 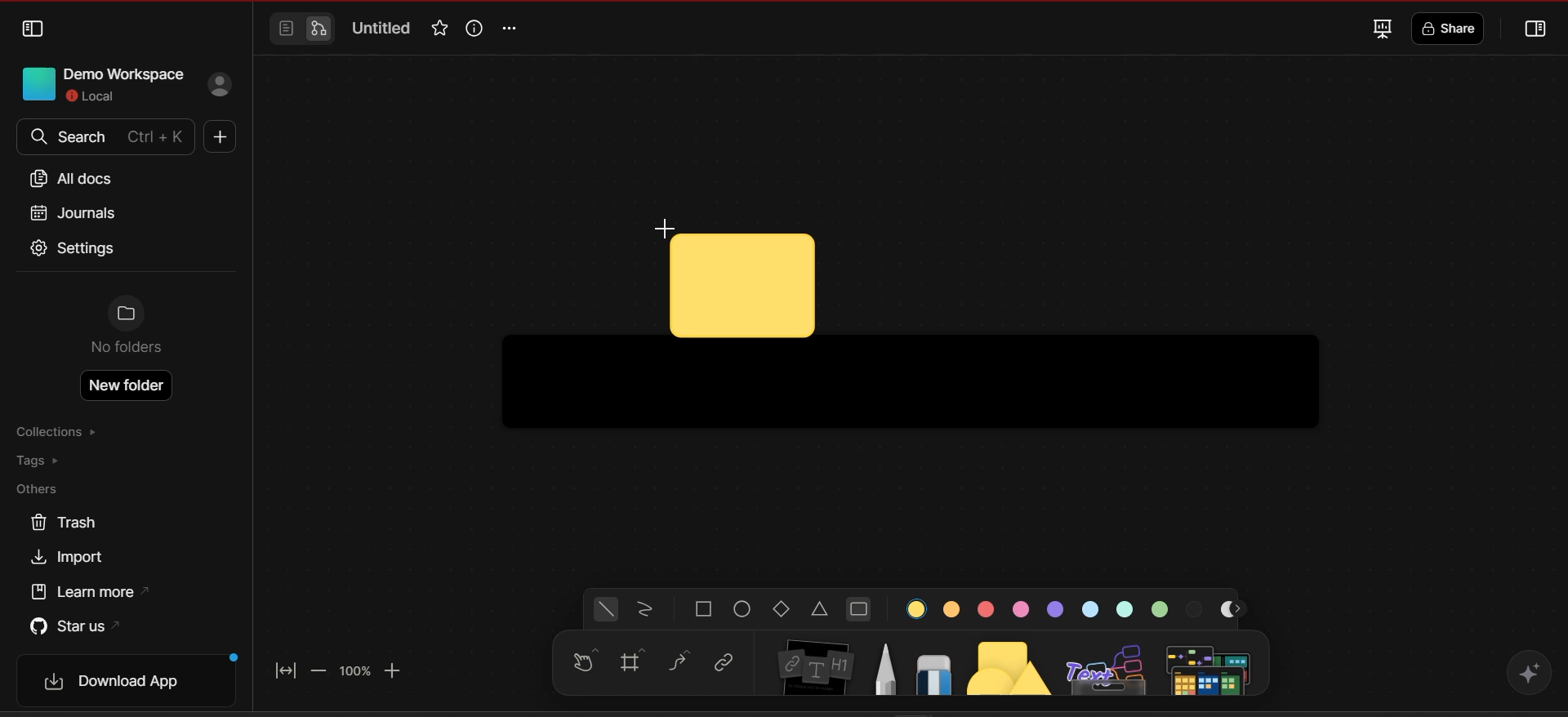 I want to click on color 5, so click(x=1056, y=608).